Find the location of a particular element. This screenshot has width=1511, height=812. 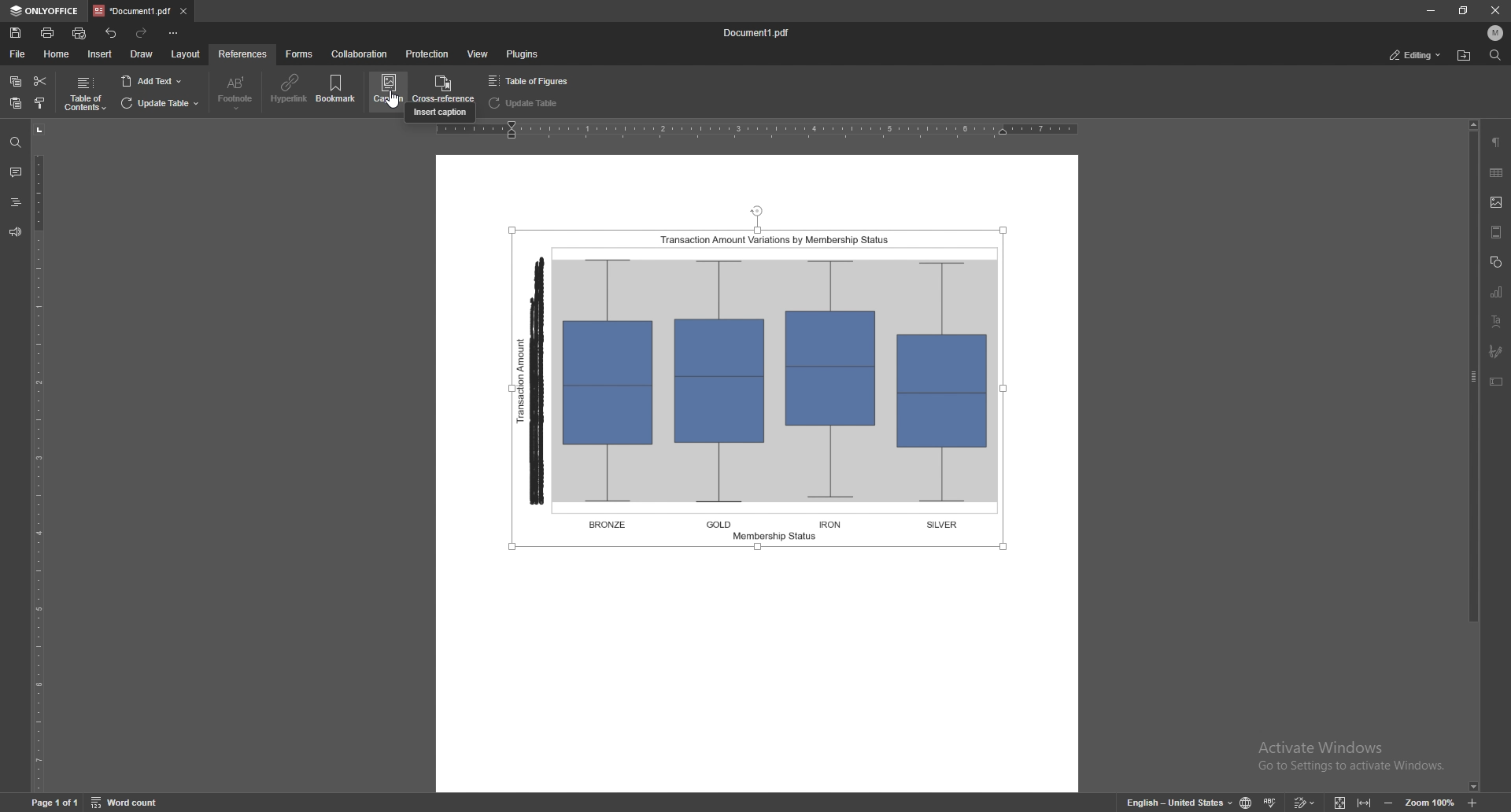

profile is located at coordinates (1495, 32).